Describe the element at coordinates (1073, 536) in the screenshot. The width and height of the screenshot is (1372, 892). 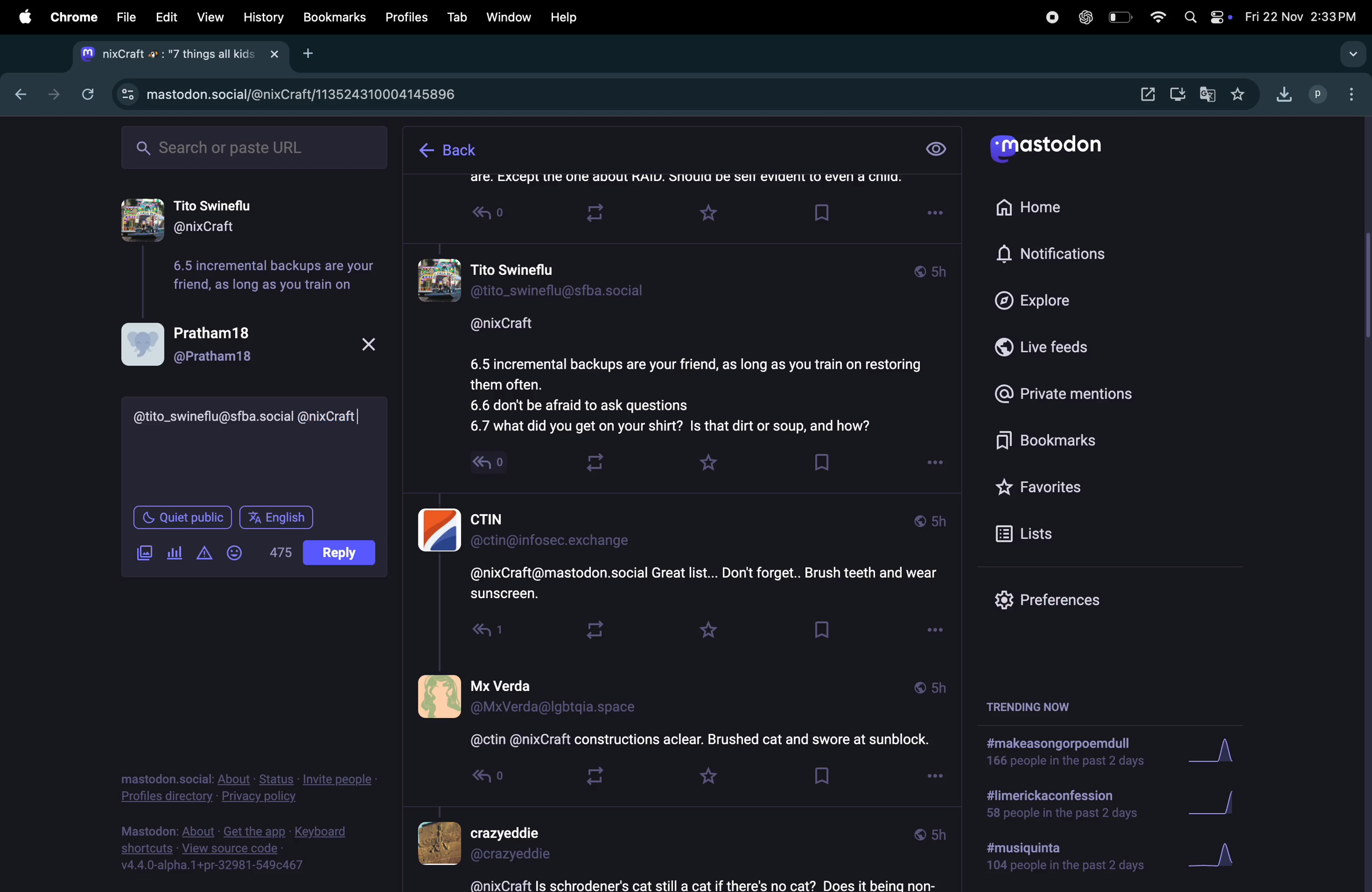
I see `lists` at that location.